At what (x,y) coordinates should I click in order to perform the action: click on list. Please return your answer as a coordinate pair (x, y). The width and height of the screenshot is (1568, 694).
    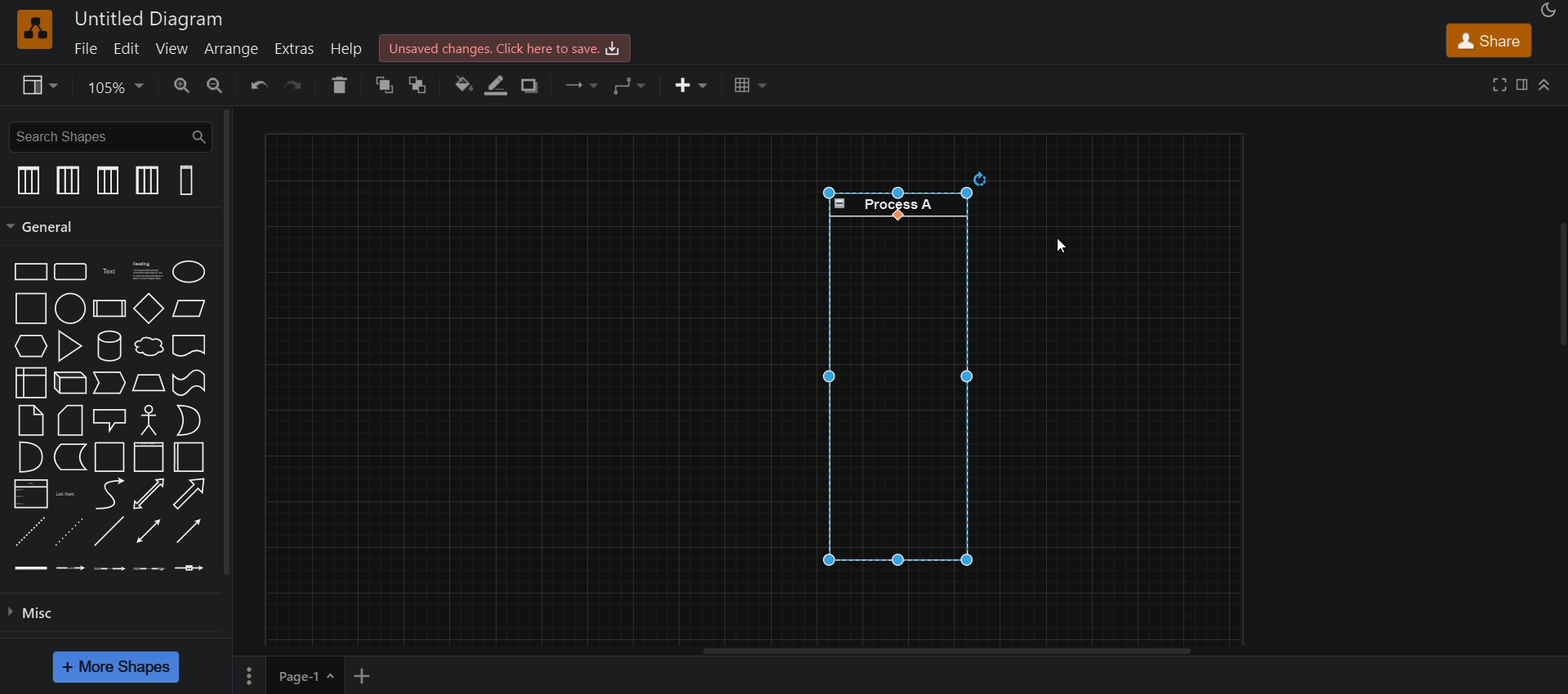
    Looking at the image, I should click on (28, 494).